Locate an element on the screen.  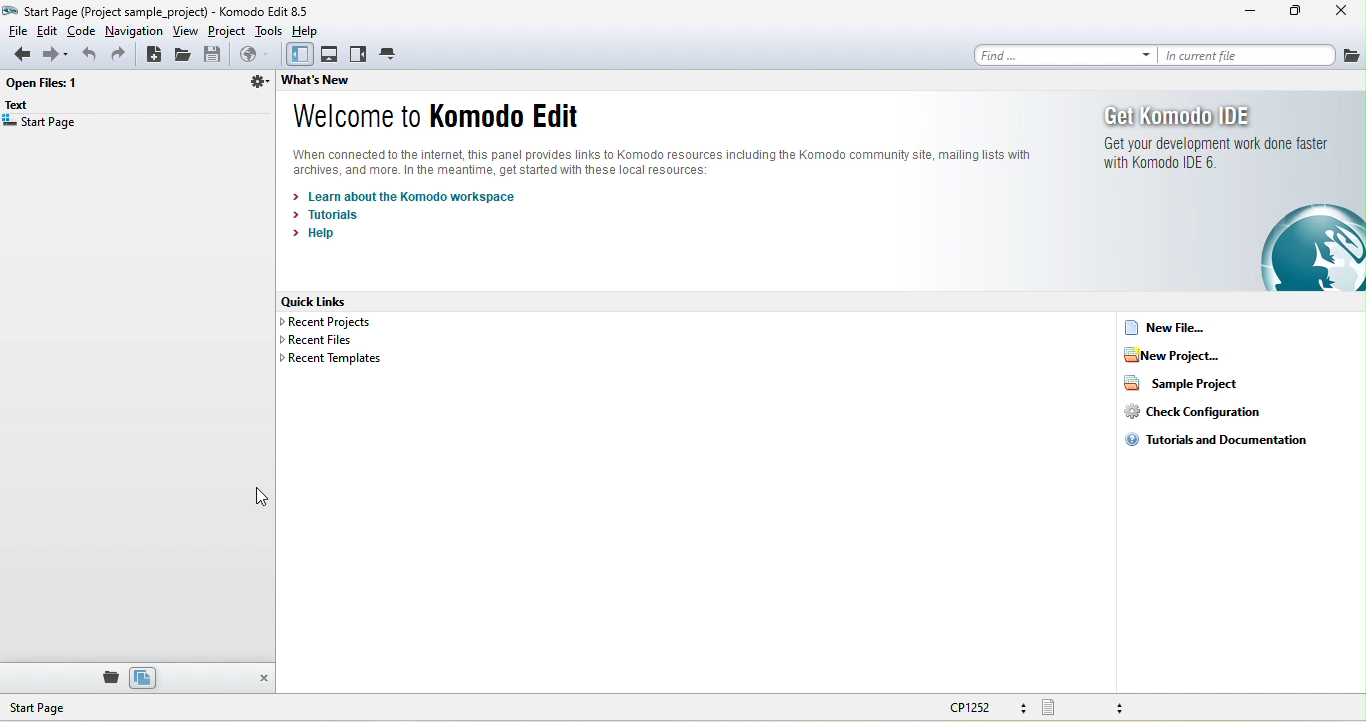
what's new is located at coordinates (340, 83).